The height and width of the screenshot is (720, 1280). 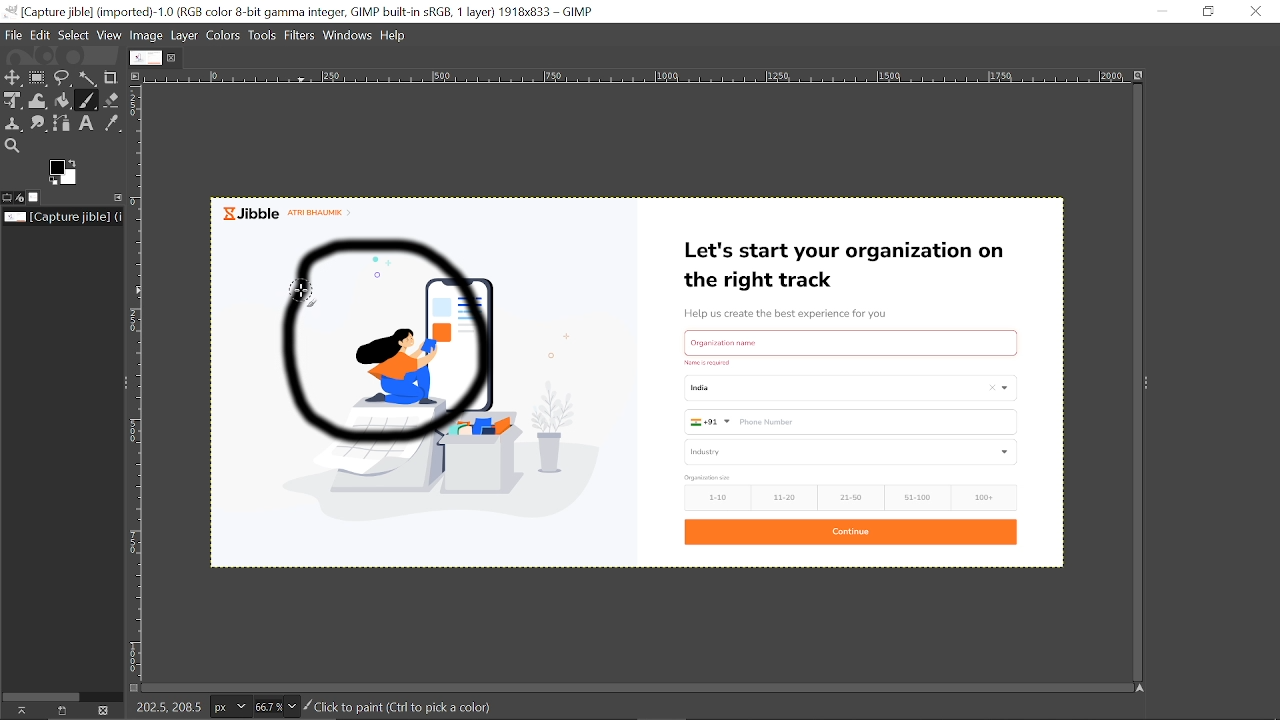 What do you see at coordinates (8, 197) in the screenshot?
I see `Tool options` at bounding box center [8, 197].